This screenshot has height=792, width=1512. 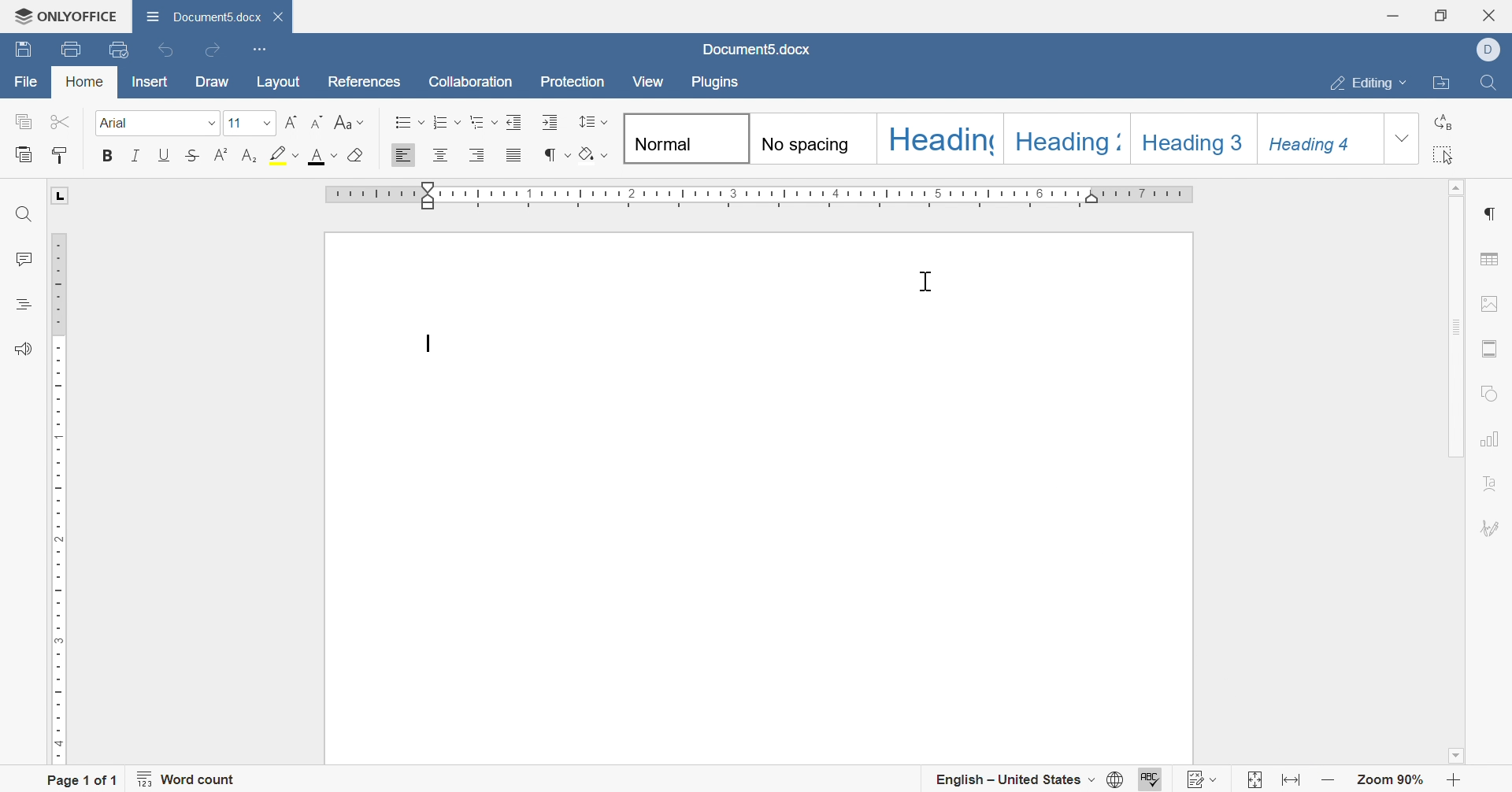 What do you see at coordinates (1492, 347) in the screenshot?
I see `header and footer settings` at bounding box center [1492, 347].